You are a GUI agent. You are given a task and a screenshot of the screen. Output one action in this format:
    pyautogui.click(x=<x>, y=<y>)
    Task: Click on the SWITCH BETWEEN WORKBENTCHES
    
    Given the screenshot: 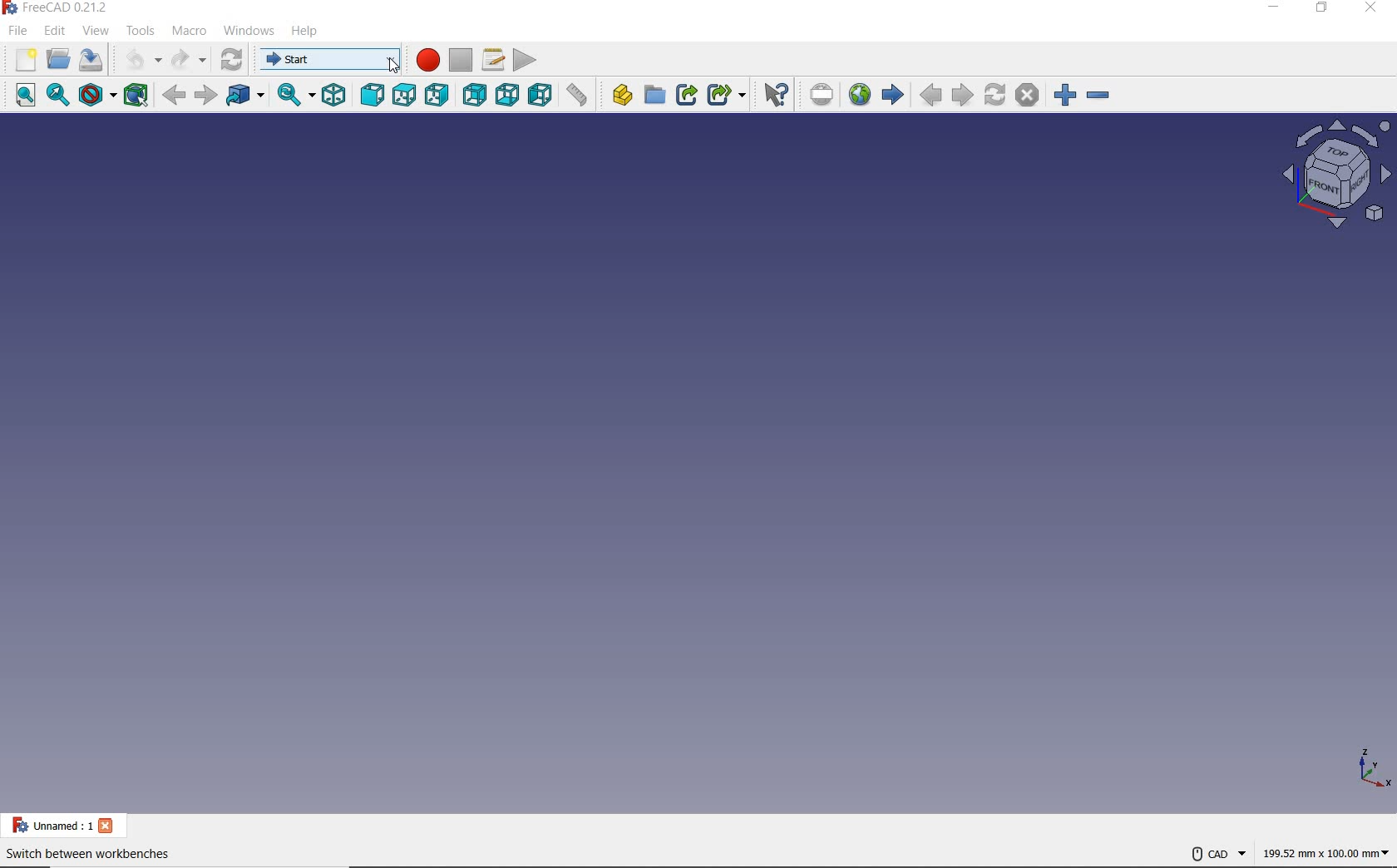 What is the action you would take?
    pyautogui.click(x=93, y=856)
    